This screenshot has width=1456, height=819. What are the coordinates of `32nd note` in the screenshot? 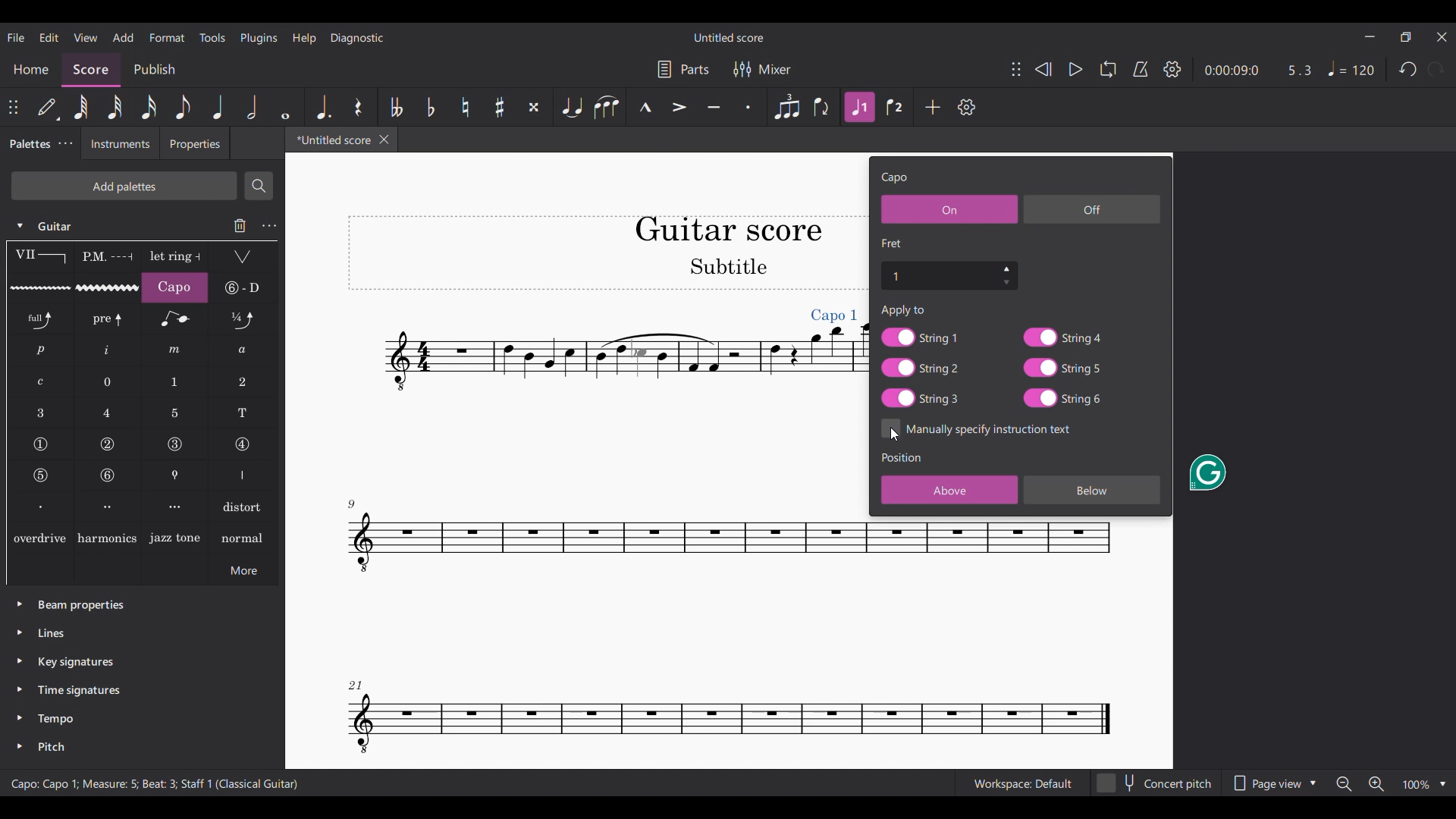 It's located at (115, 107).